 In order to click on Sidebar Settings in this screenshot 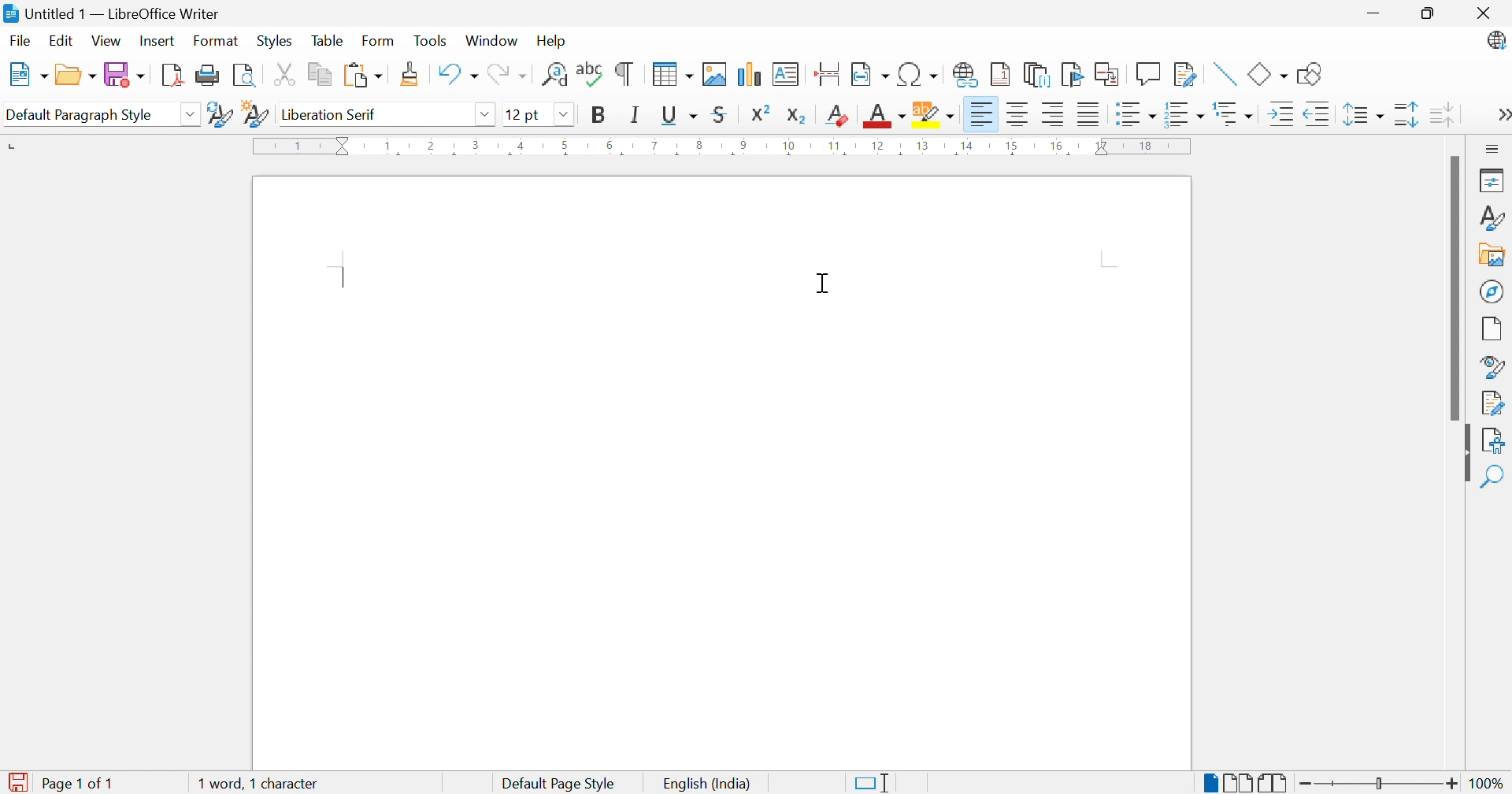, I will do `click(1490, 148)`.